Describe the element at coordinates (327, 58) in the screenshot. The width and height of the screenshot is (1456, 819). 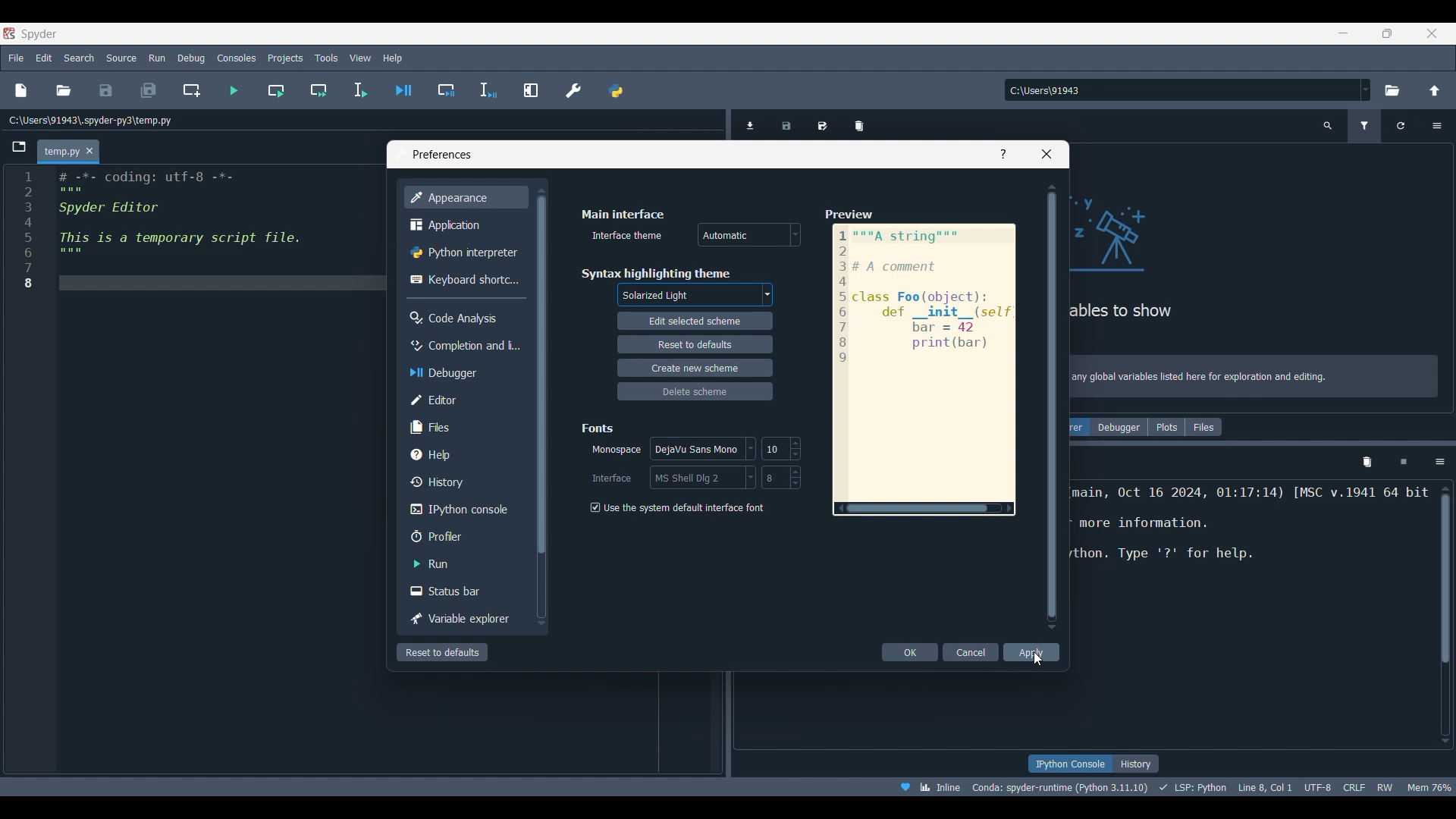
I see `Tools menu` at that location.